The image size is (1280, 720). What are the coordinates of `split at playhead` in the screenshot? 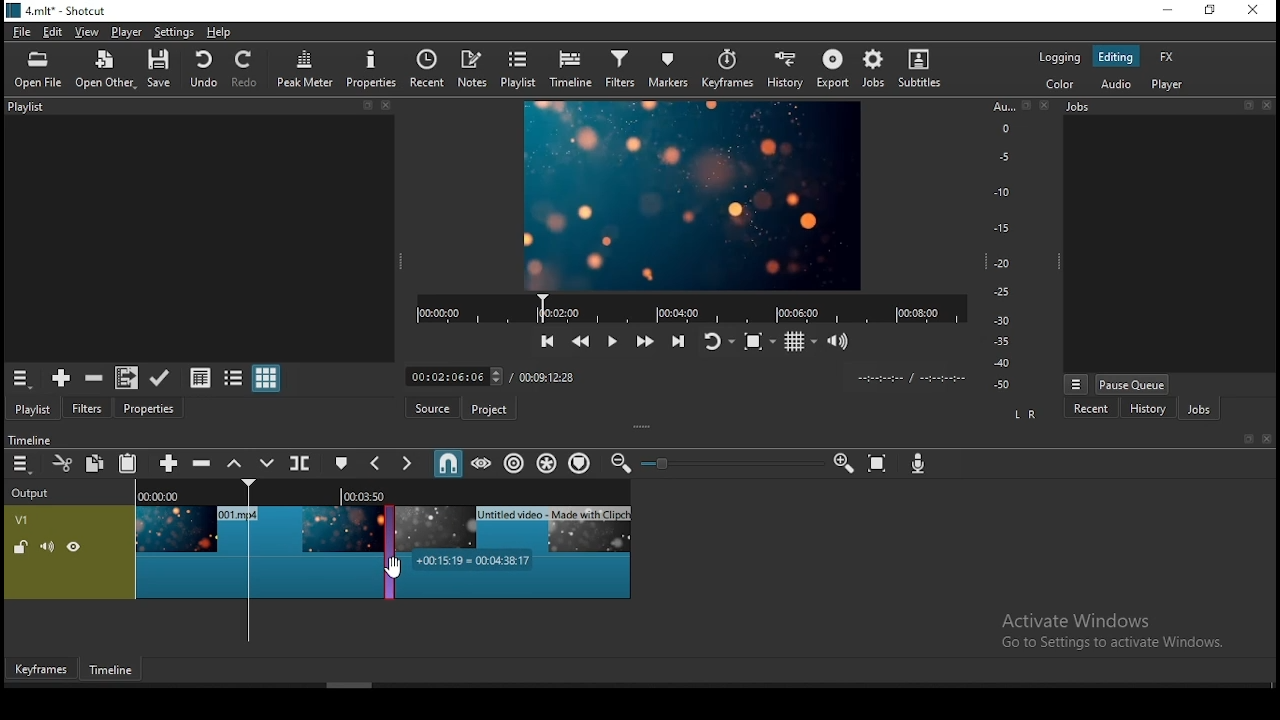 It's located at (302, 462).